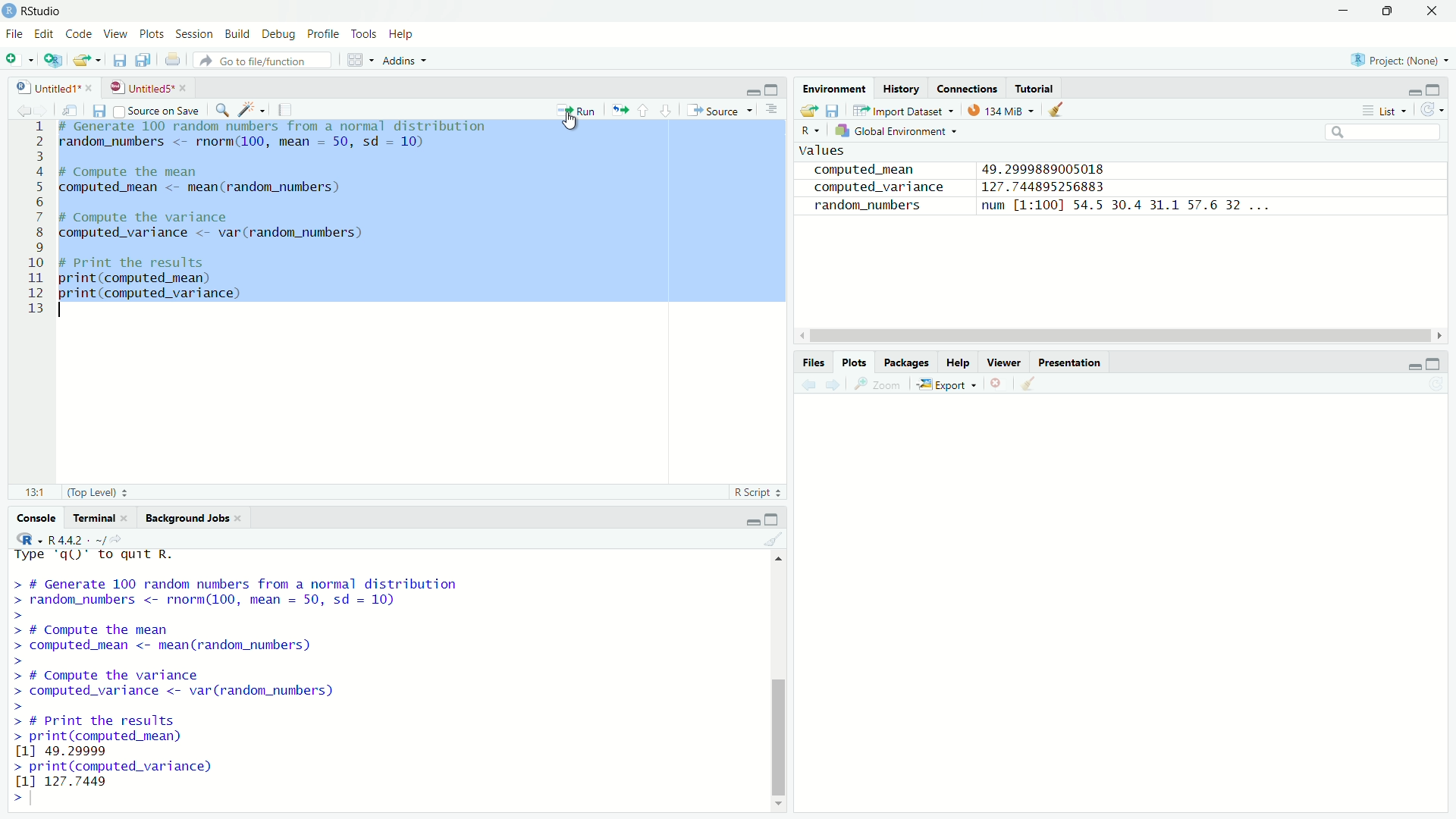 The height and width of the screenshot is (819, 1456). What do you see at coordinates (776, 688) in the screenshot?
I see `scrollbar` at bounding box center [776, 688].